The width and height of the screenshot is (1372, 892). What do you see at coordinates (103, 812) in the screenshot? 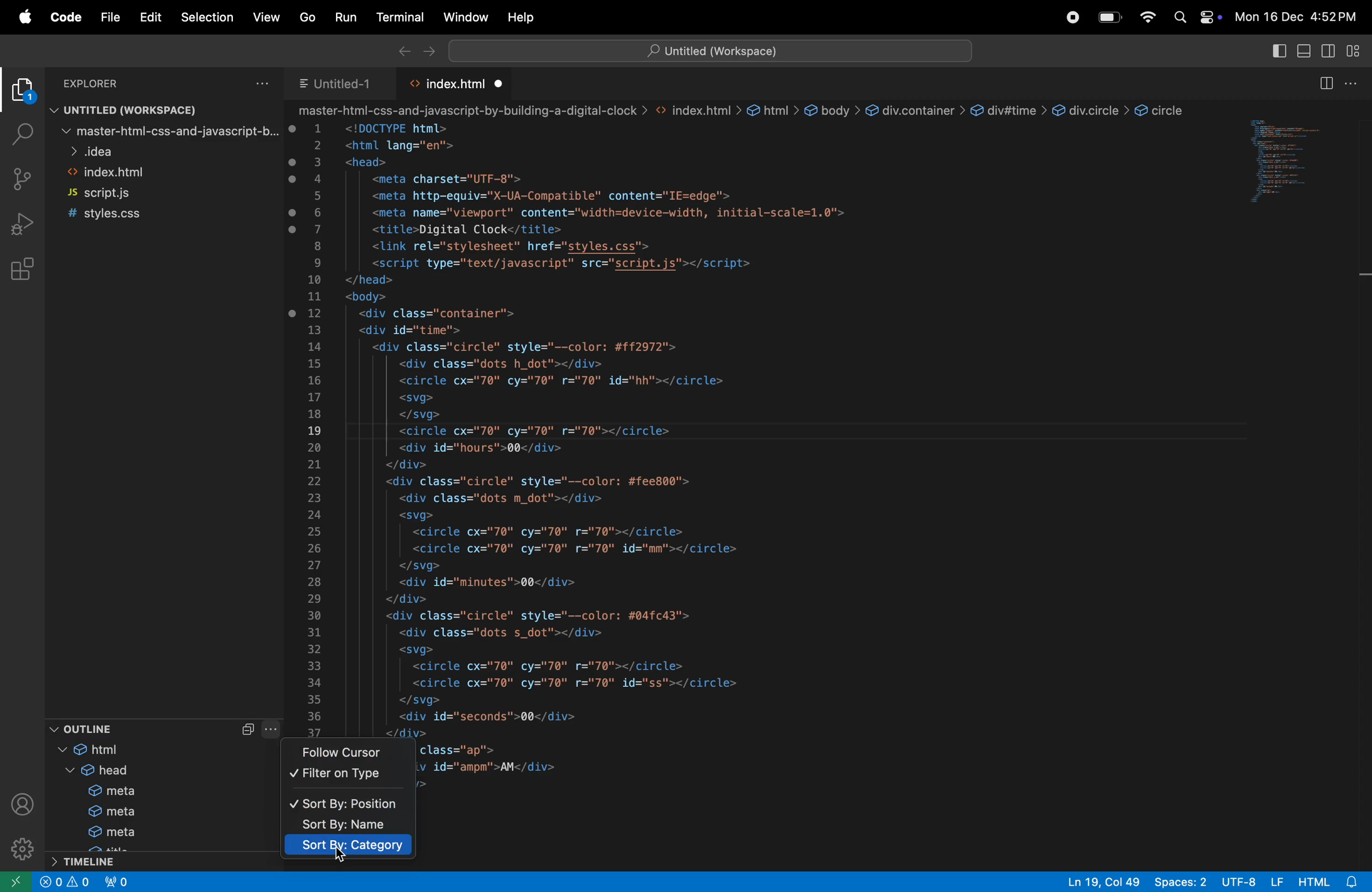
I see `meta` at bounding box center [103, 812].